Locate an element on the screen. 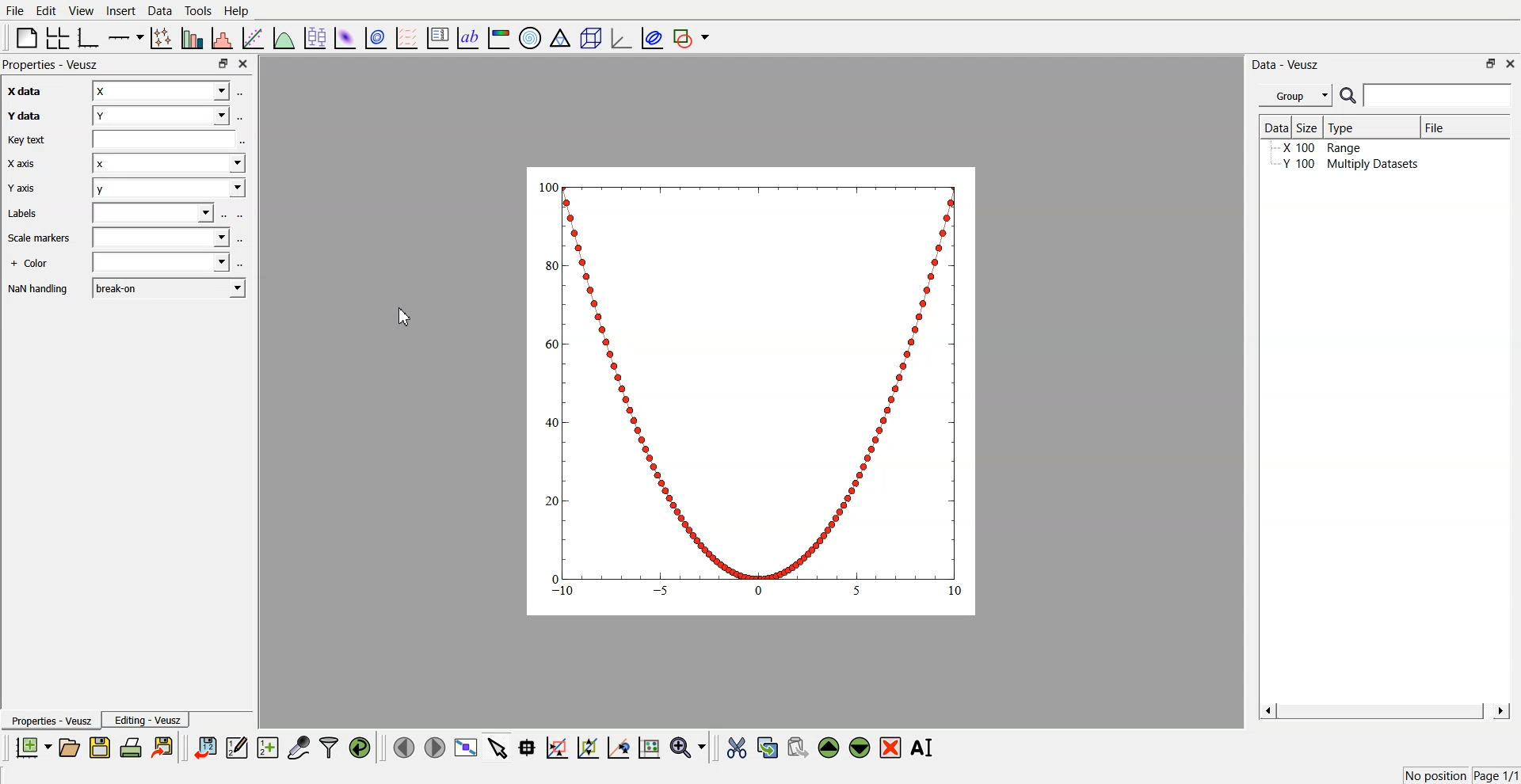  cut the selected widgets is located at coordinates (735, 748).